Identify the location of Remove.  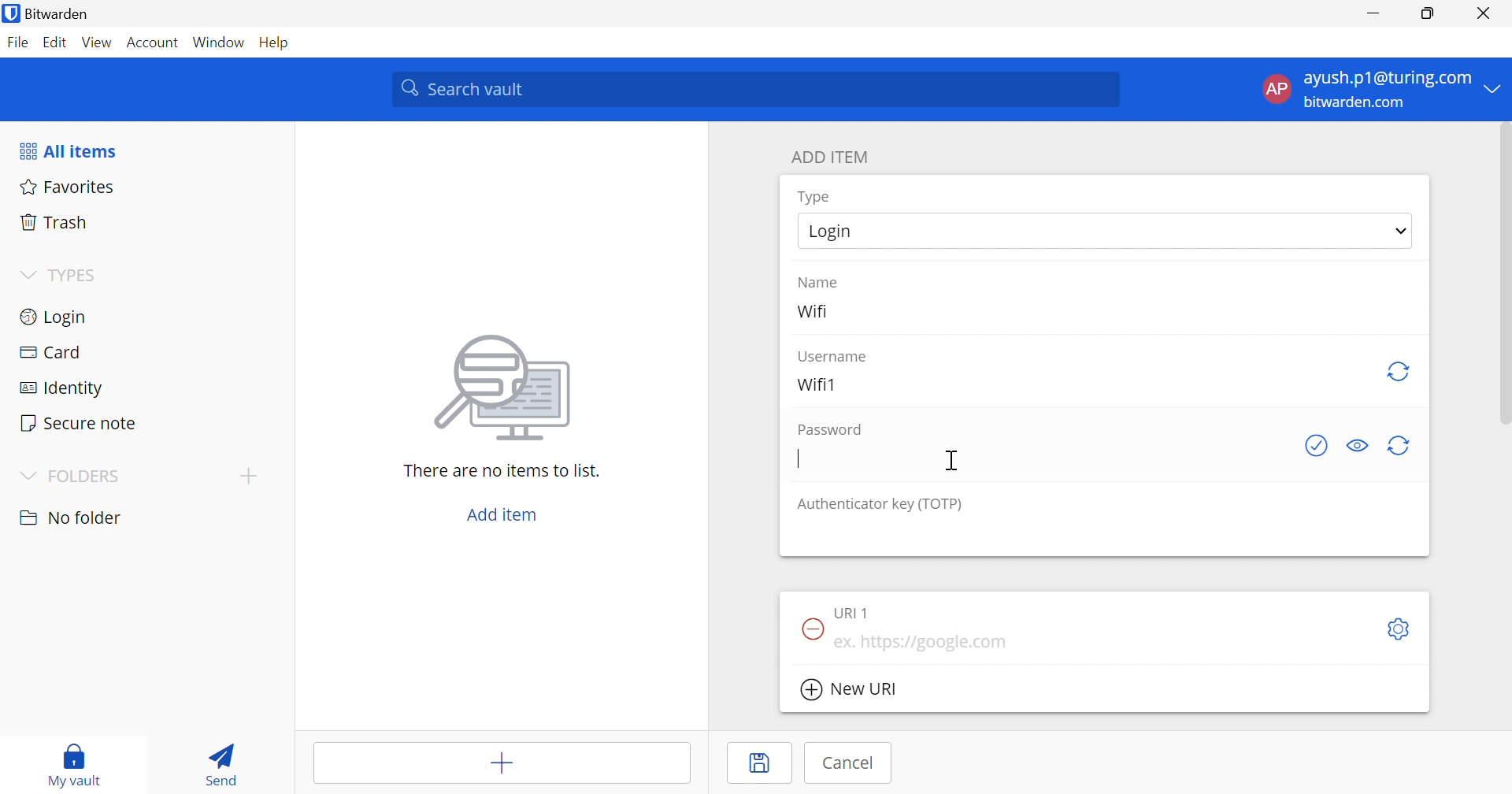
(811, 629).